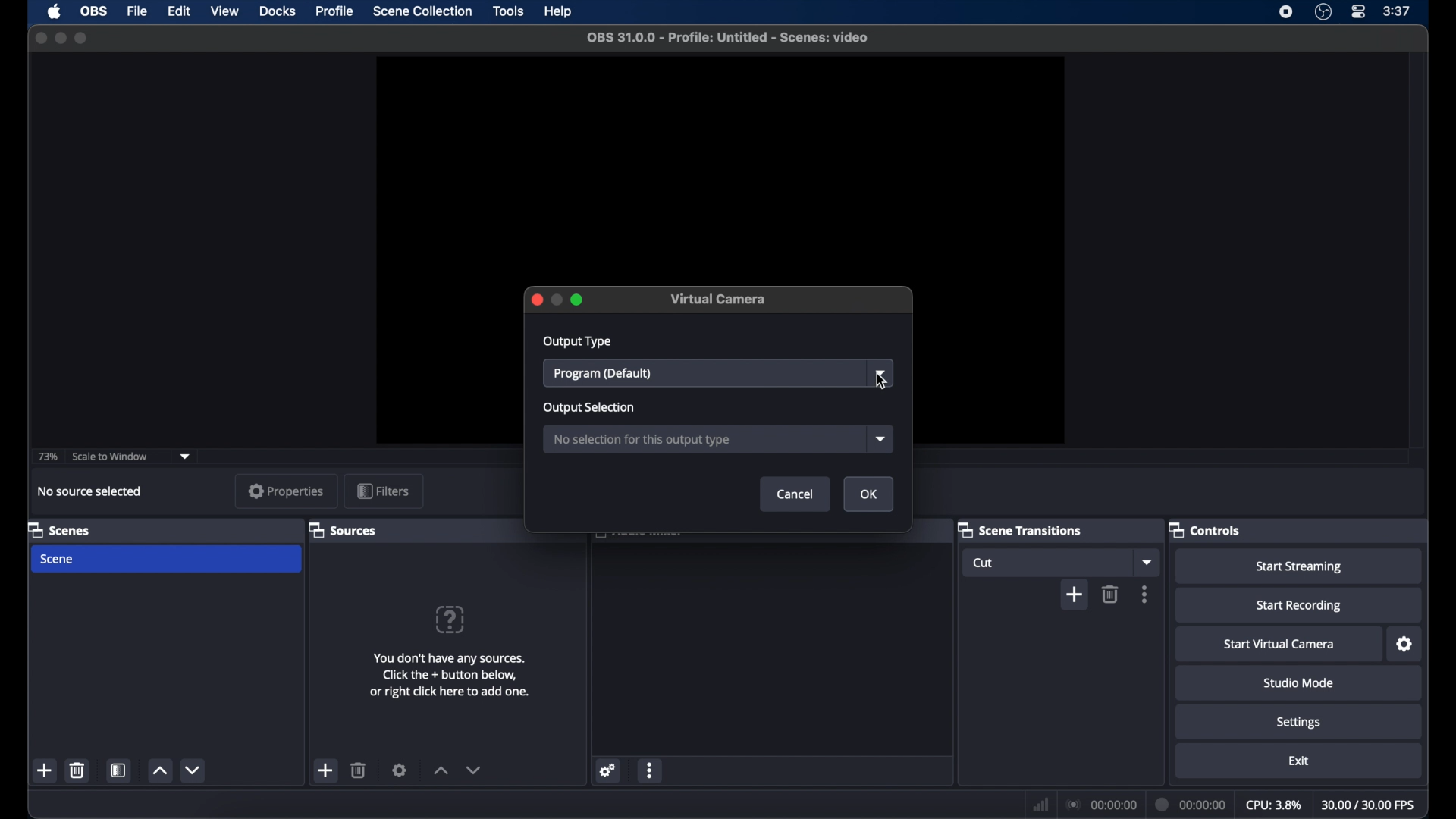 The image size is (1456, 819). Describe the element at coordinates (1100, 804) in the screenshot. I see `connection` at that location.